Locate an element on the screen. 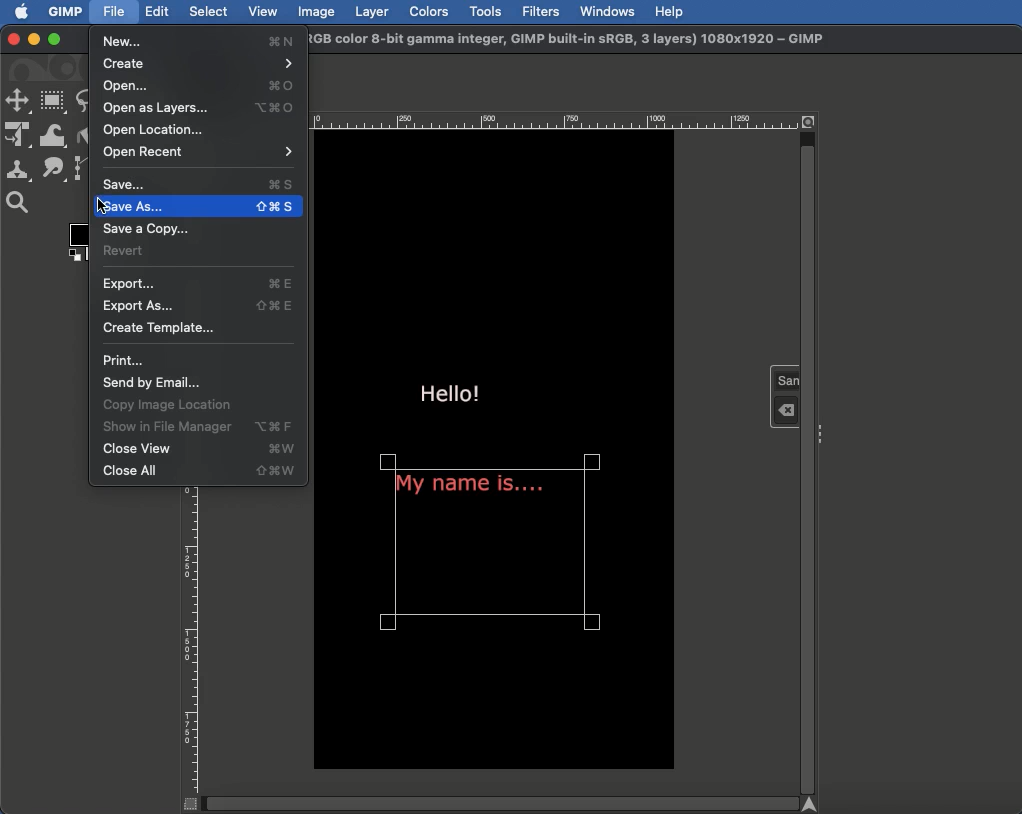 This screenshot has height=814, width=1022. Fill color is located at coordinates (88, 134).